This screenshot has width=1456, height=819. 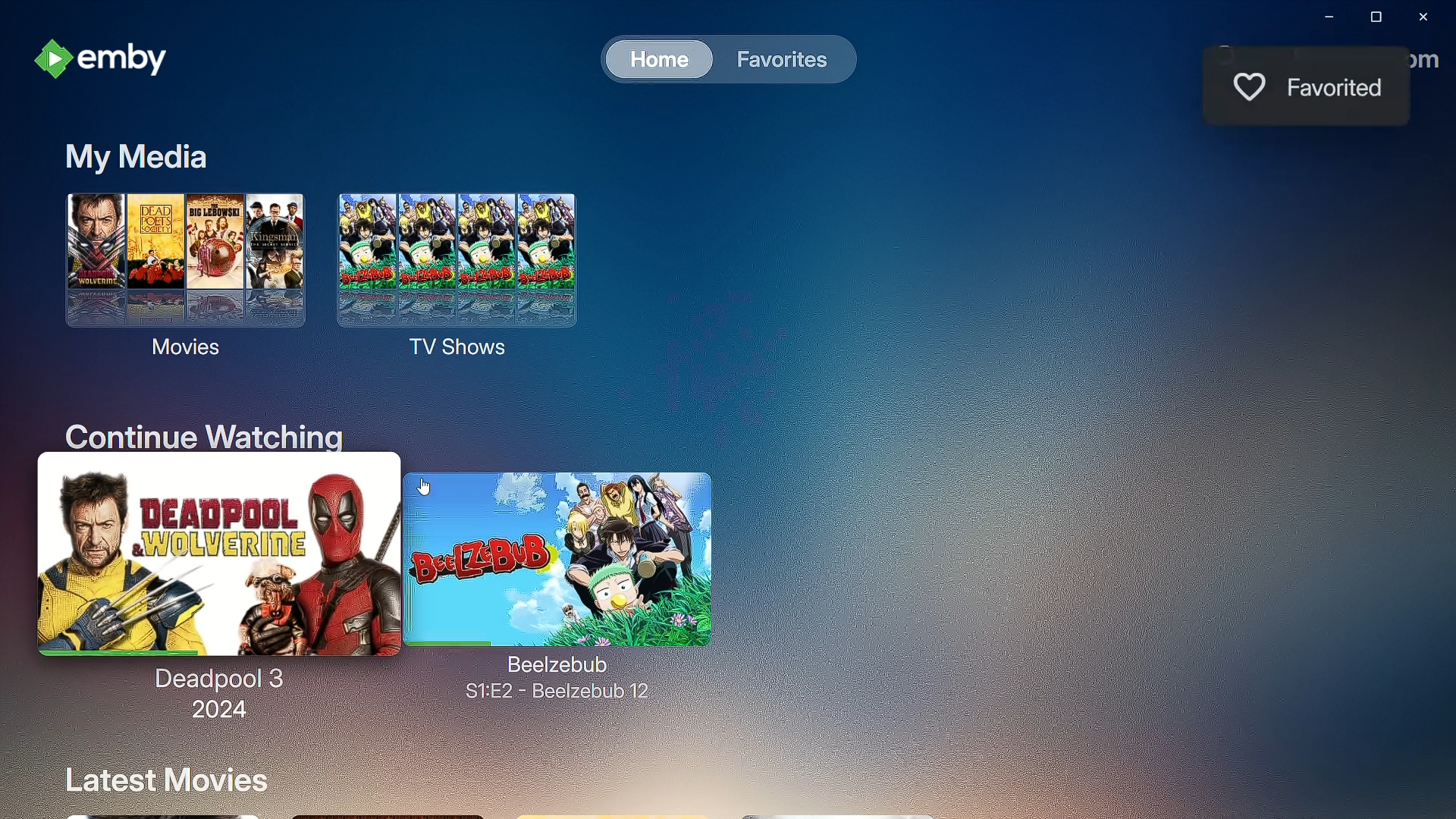 What do you see at coordinates (574, 568) in the screenshot?
I see `Beelzebub` at bounding box center [574, 568].